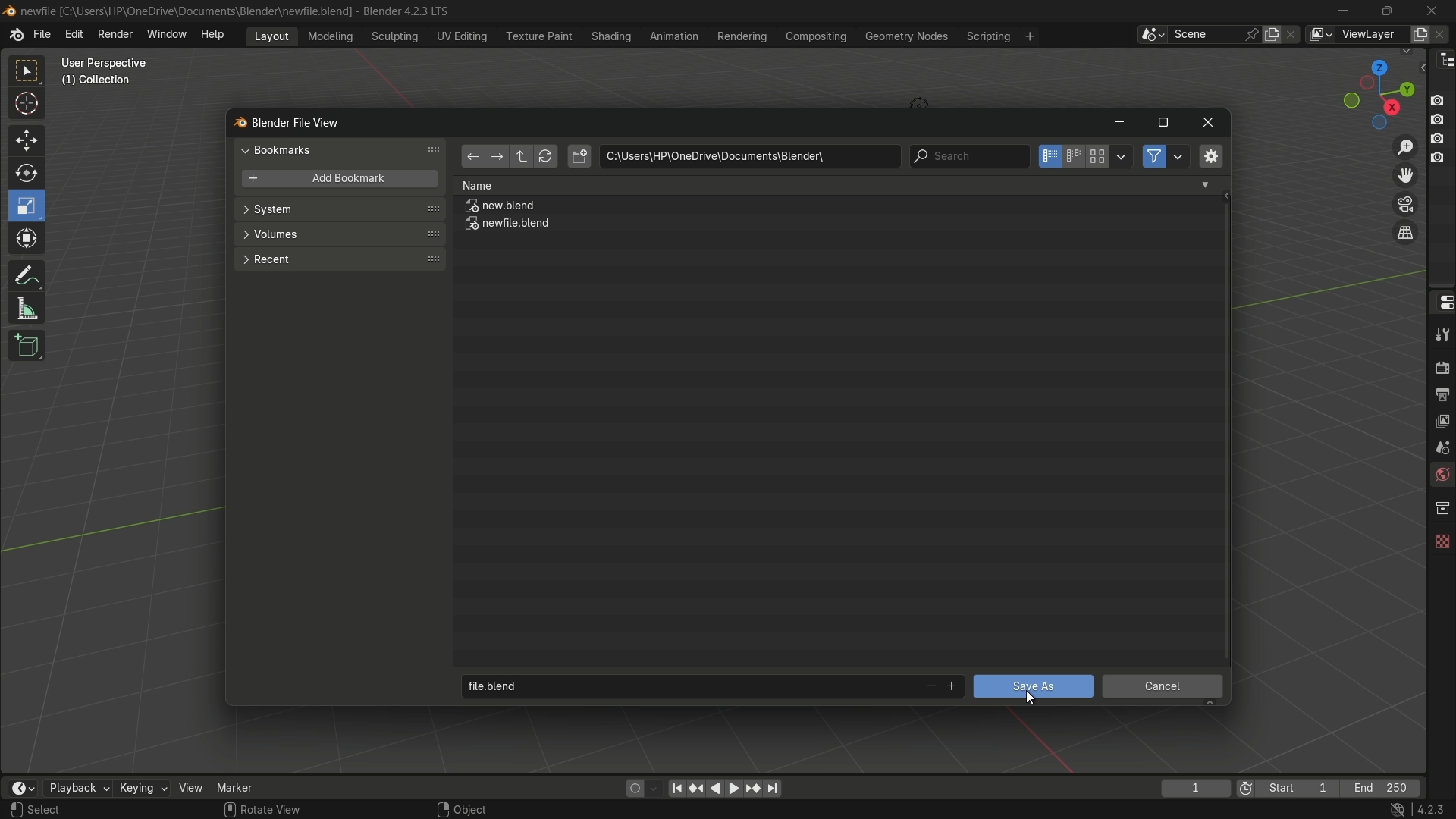 This screenshot has width=1456, height=819. Describe the element at coordinates (836, 185) in the screenshot. I see `Name` at that location.